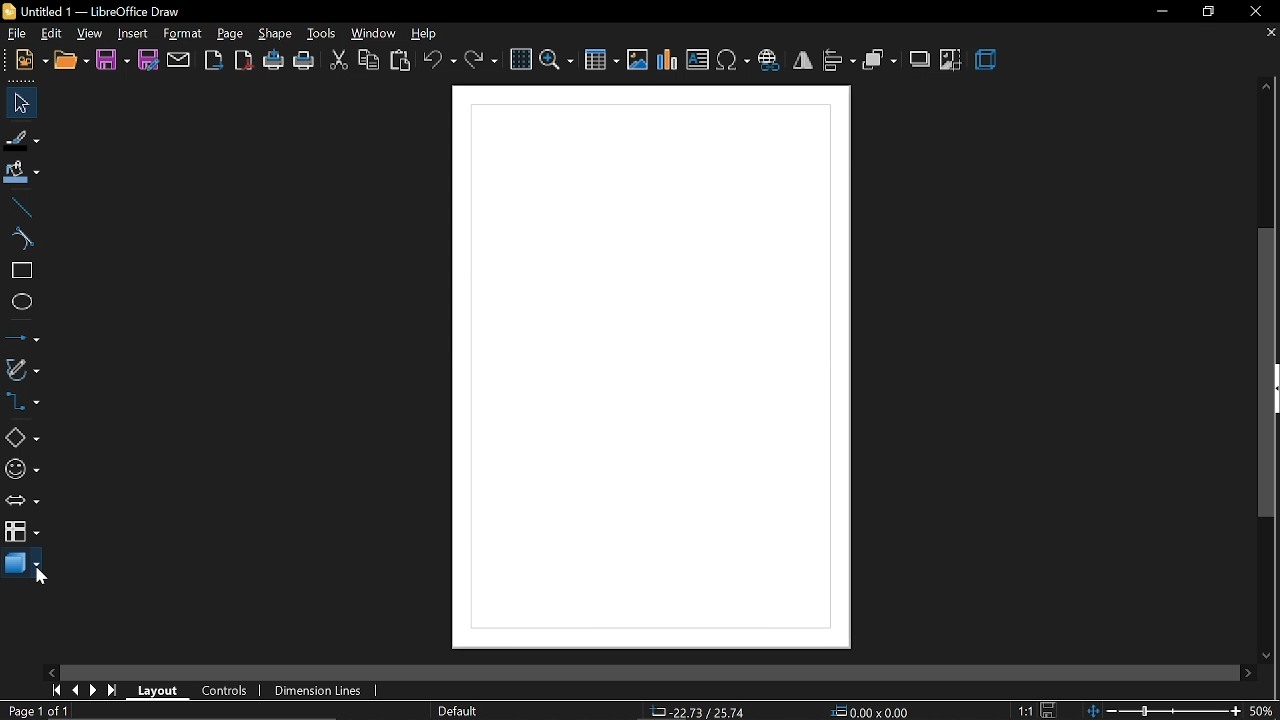  Describe the element at coordinates (1270, 35) in the screenshot. I see `close tab` at that location.